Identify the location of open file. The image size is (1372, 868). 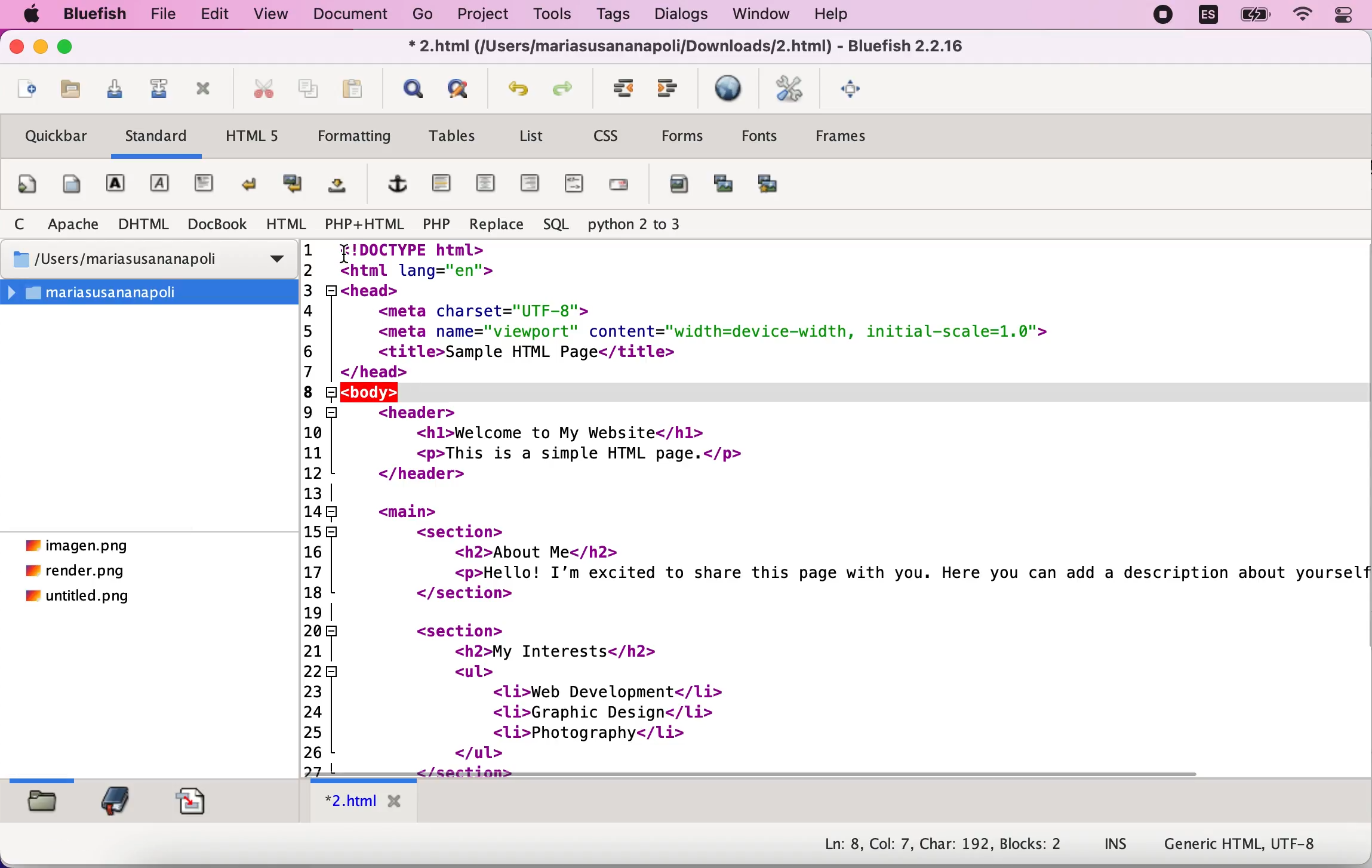
(72, 90).